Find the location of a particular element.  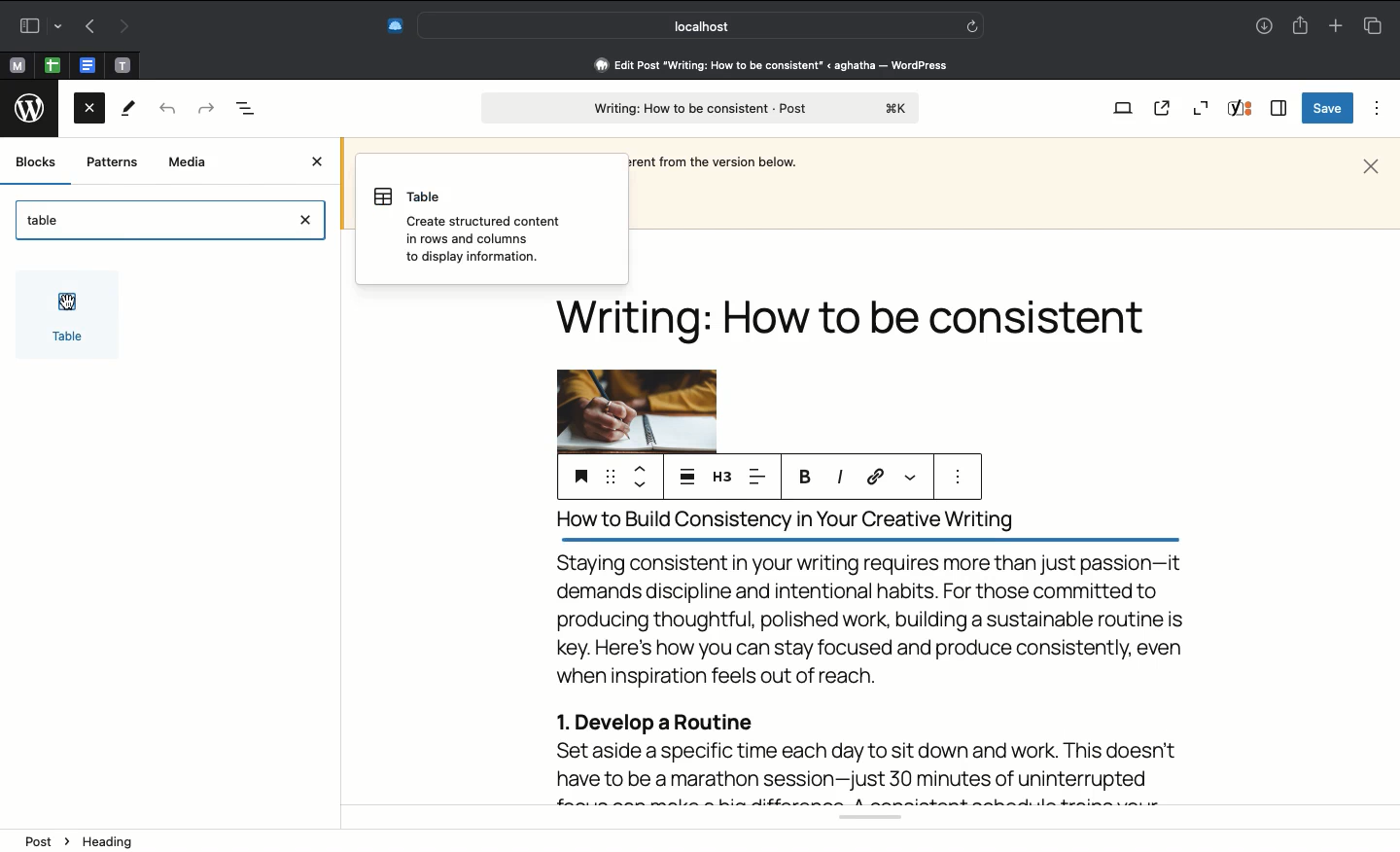

post is located at coordinates (701, 108).